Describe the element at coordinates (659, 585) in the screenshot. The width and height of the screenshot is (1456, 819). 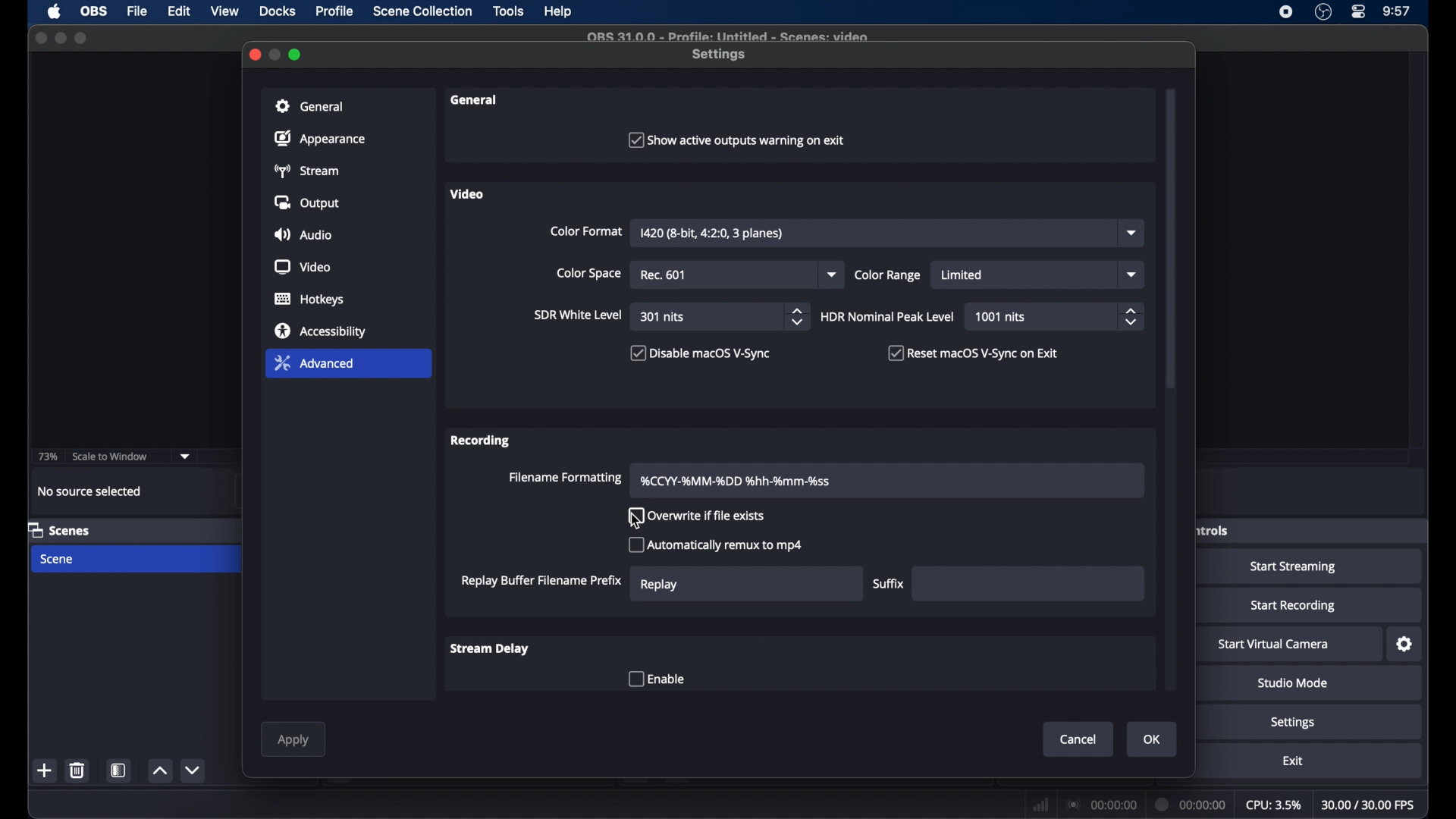
I see `replay` at that location.